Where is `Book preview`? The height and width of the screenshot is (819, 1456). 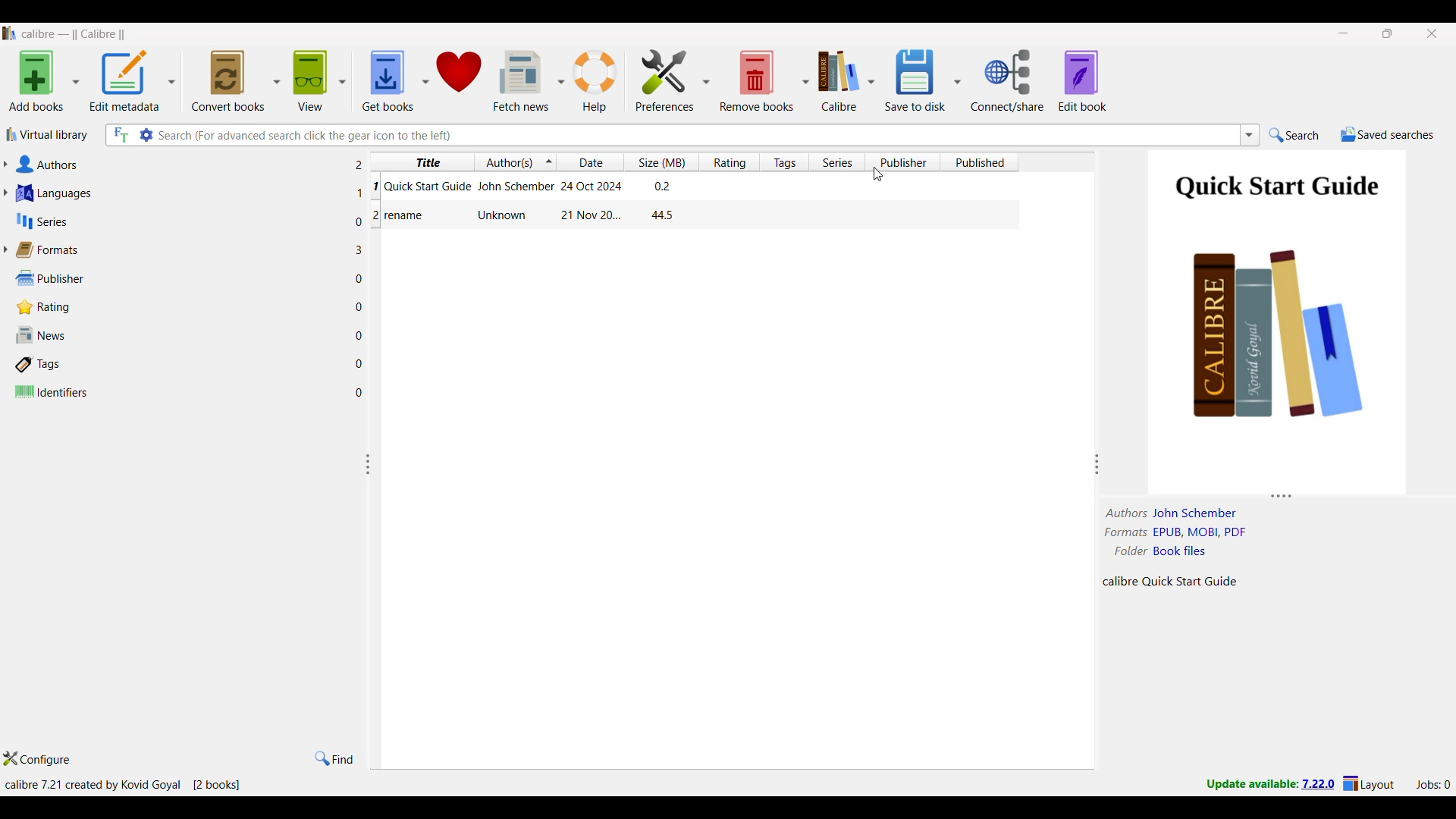
Book preview is located at coordinates (1281, 320).